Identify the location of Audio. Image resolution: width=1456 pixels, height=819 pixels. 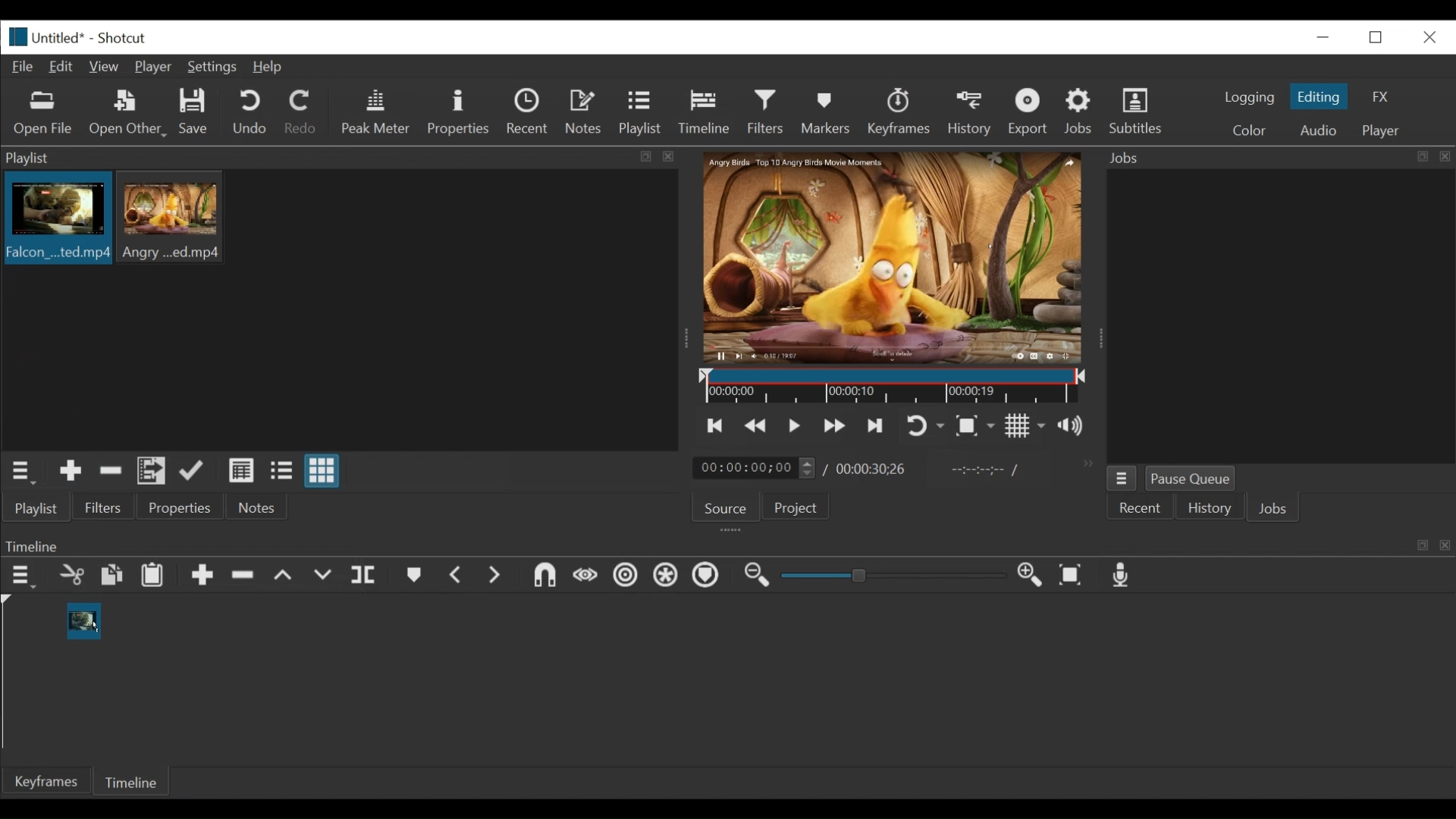
(1317, 130).